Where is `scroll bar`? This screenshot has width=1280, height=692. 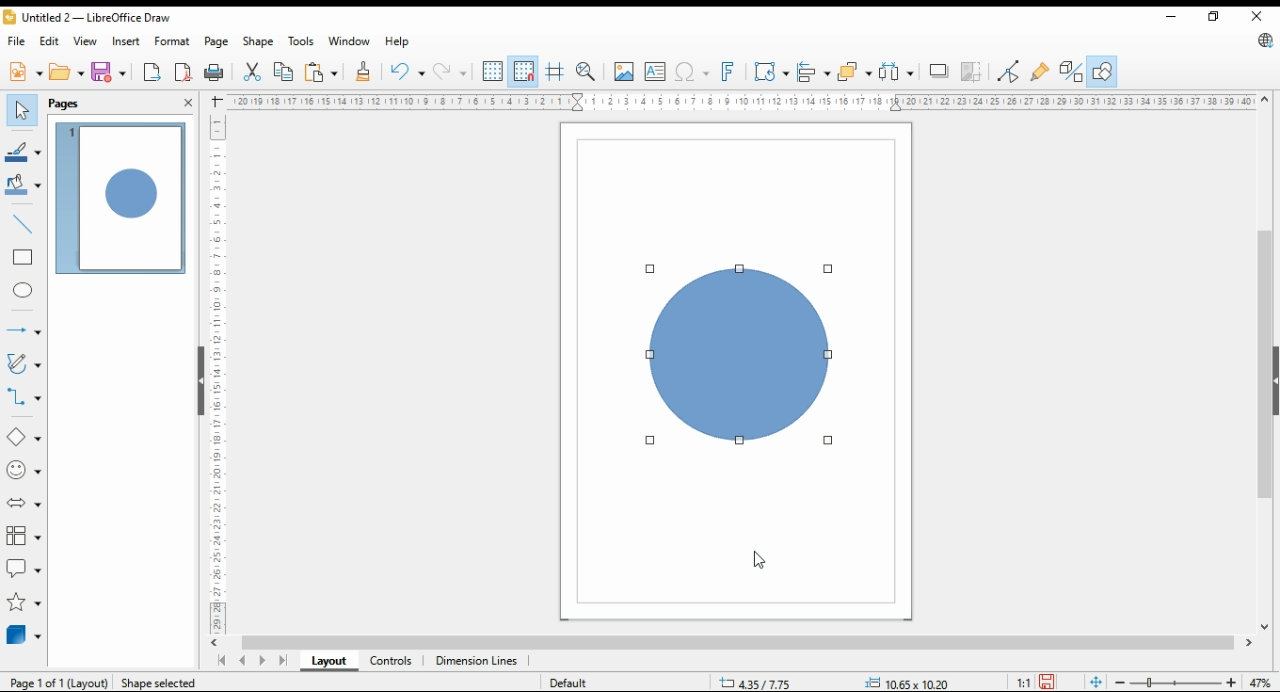 scroll bar is located at coordinates (727, 643).